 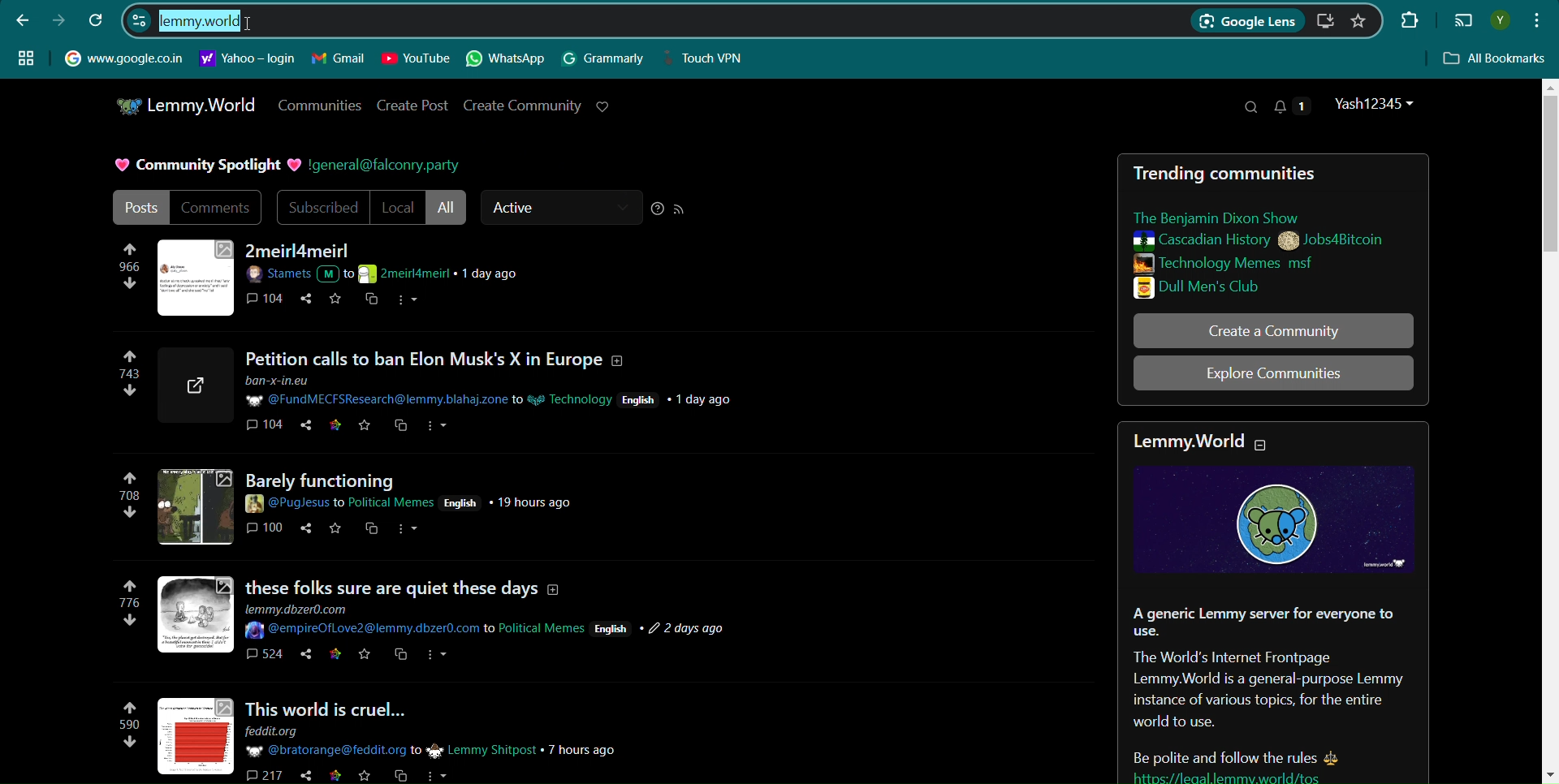 I want to click on Technology meme msf, so click(x=1253, y=263).